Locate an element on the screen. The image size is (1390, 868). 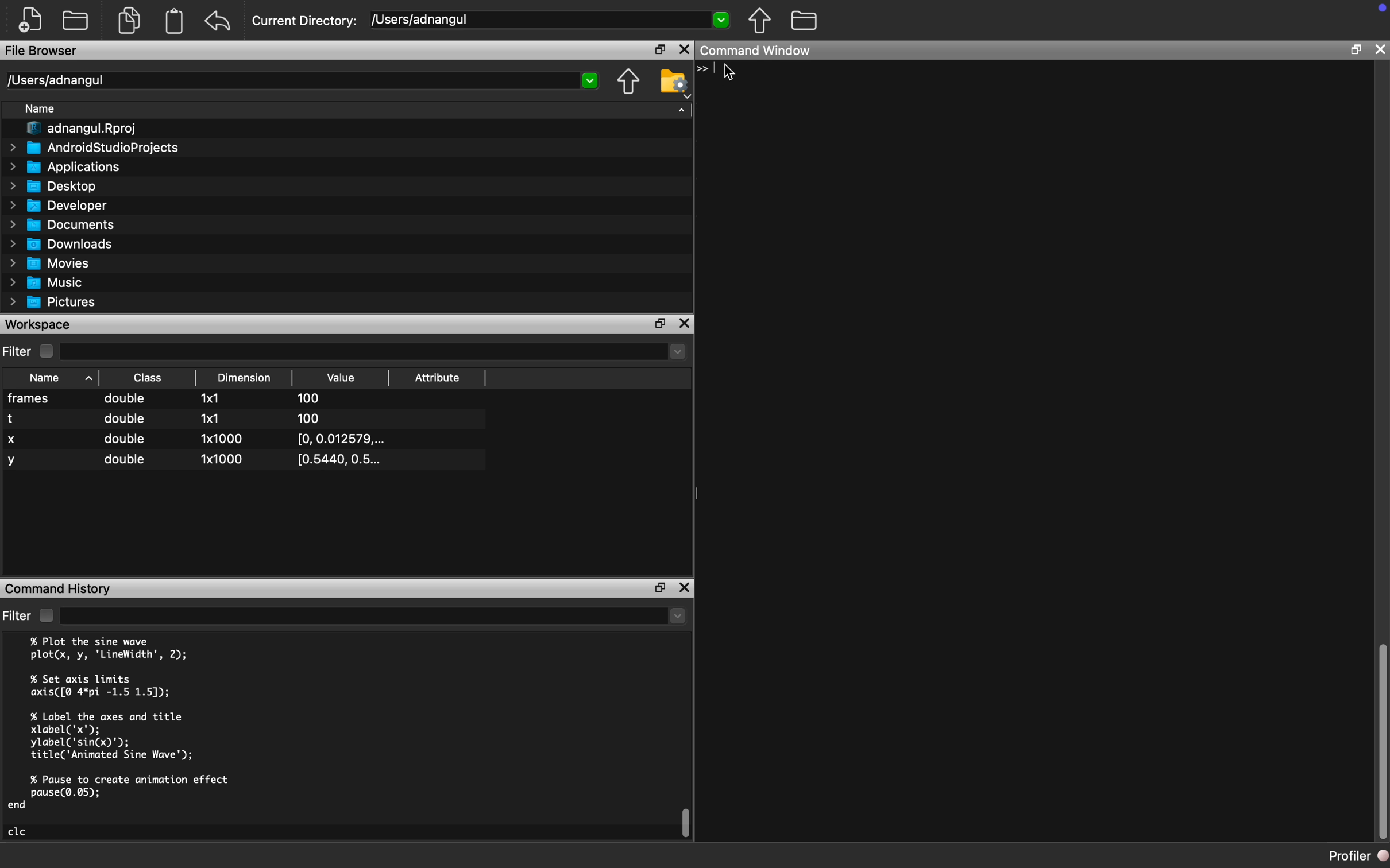
Dropdown is located at coordinates (374, 351).